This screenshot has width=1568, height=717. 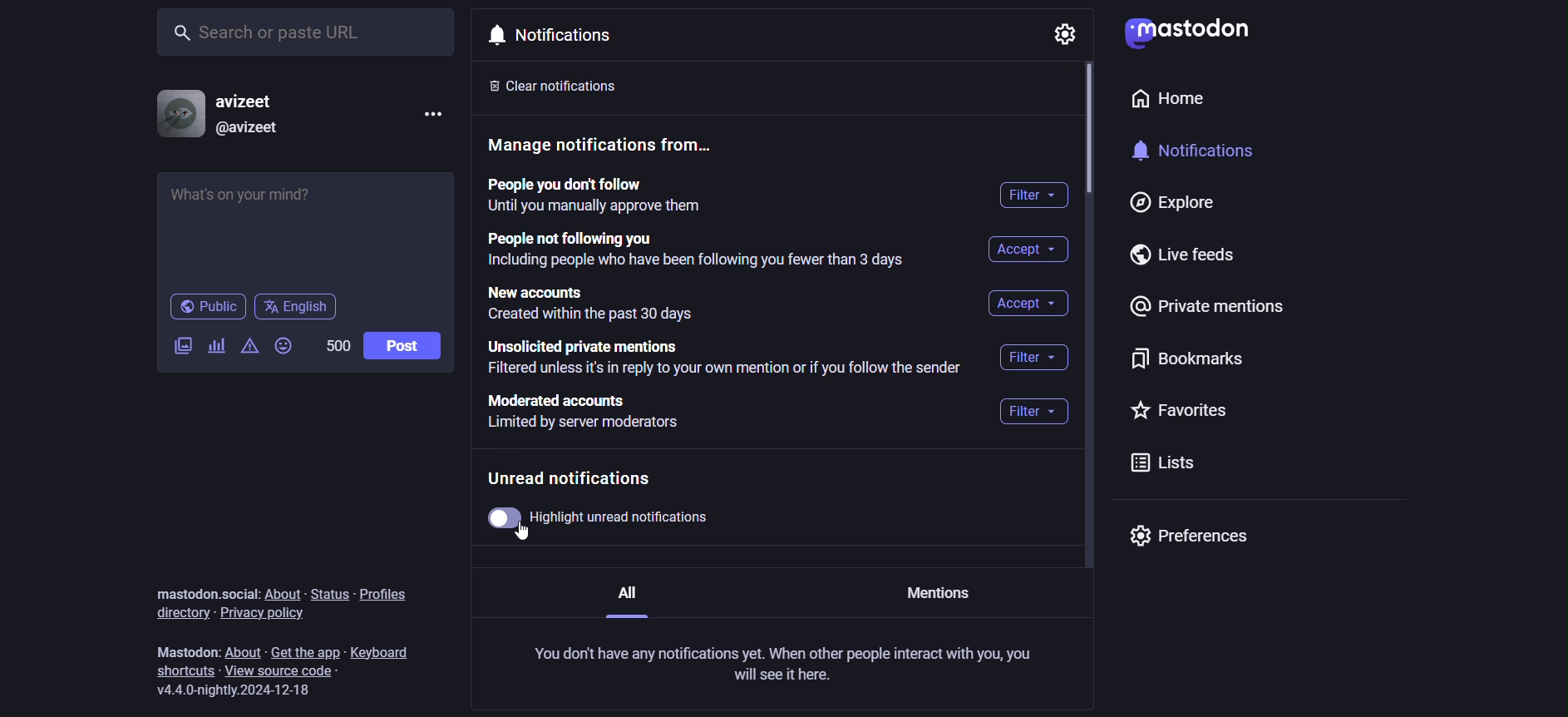 I want to click on post, so click(x=405, y=345).